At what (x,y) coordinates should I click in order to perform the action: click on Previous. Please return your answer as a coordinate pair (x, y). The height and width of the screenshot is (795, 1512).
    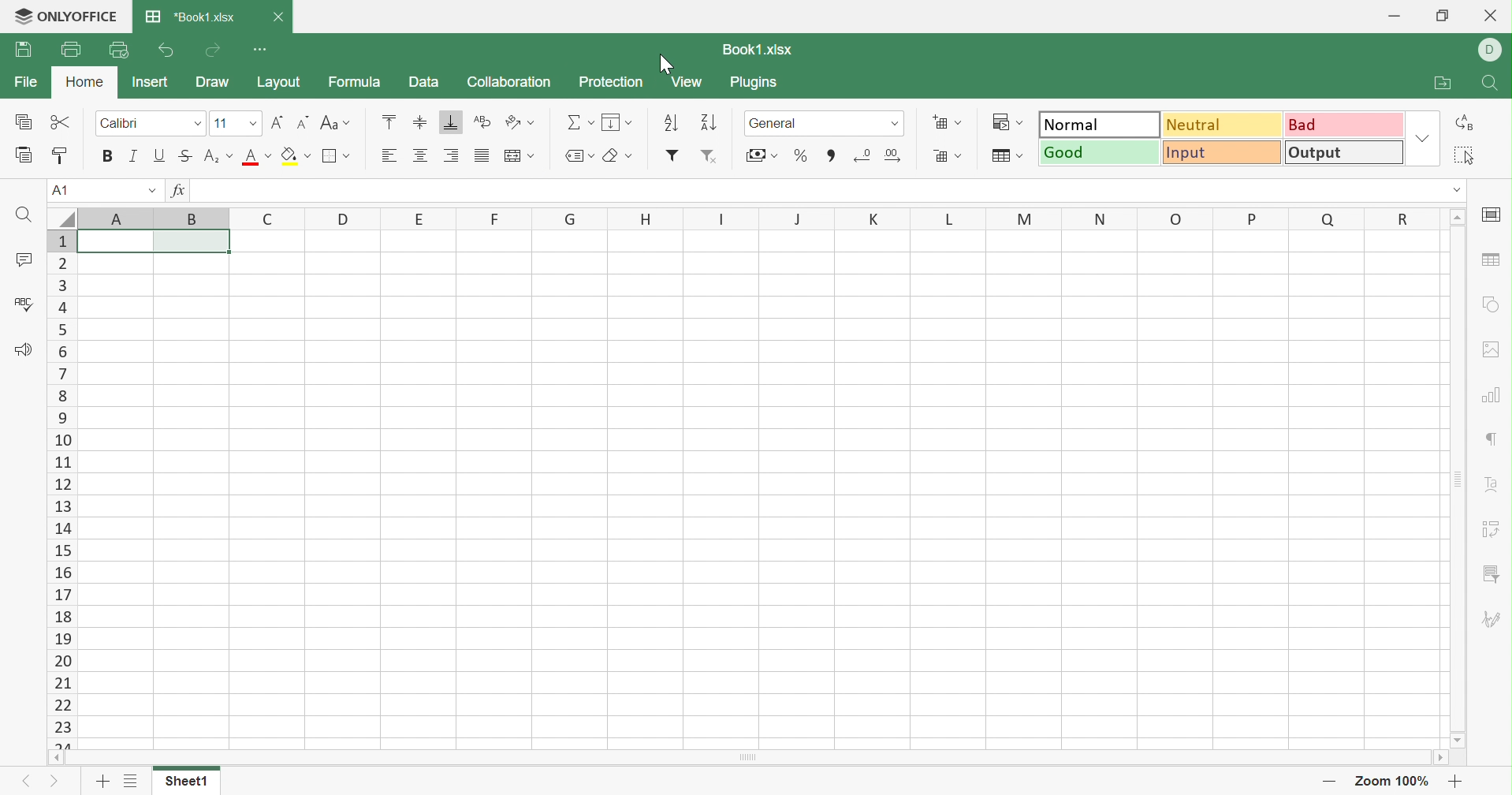
    Looking at the image, I should click on (31, 780).